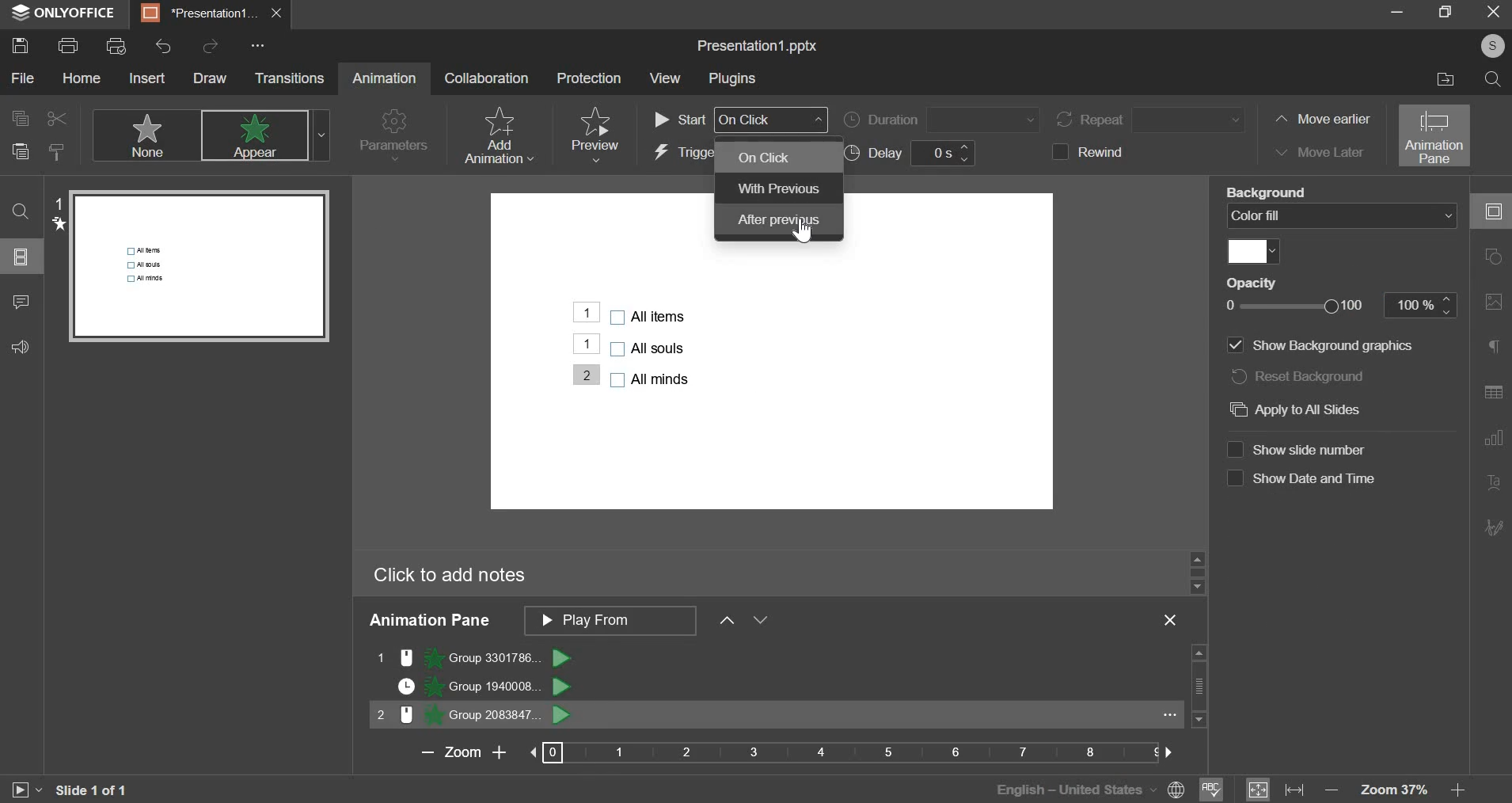 This screenshot has height=803, width=1512. I want to click on animation pane, so click(664, 622).